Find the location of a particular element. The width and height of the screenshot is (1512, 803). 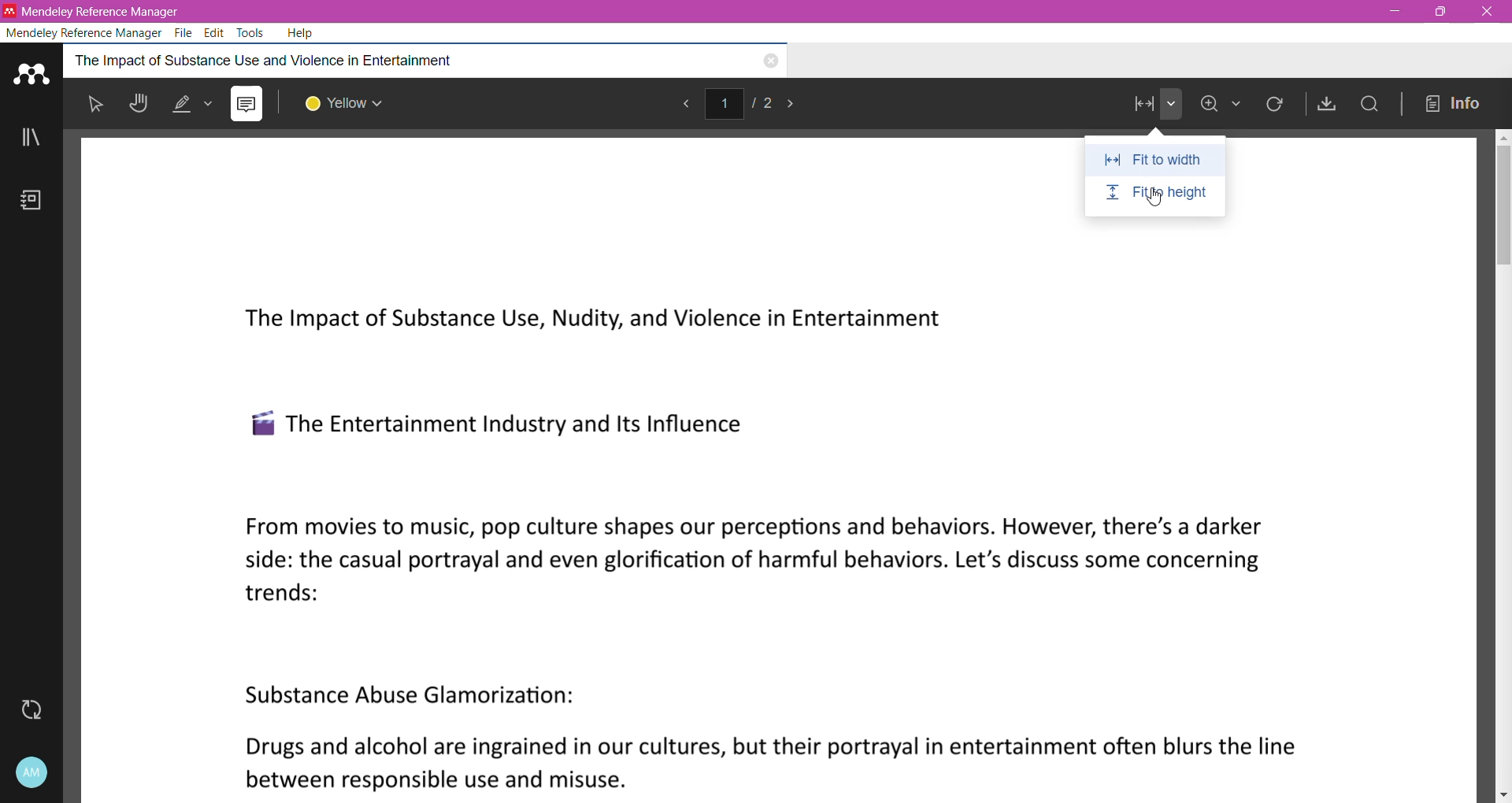

Current Page in Default fit to width View is located at coordinates (784, 512).